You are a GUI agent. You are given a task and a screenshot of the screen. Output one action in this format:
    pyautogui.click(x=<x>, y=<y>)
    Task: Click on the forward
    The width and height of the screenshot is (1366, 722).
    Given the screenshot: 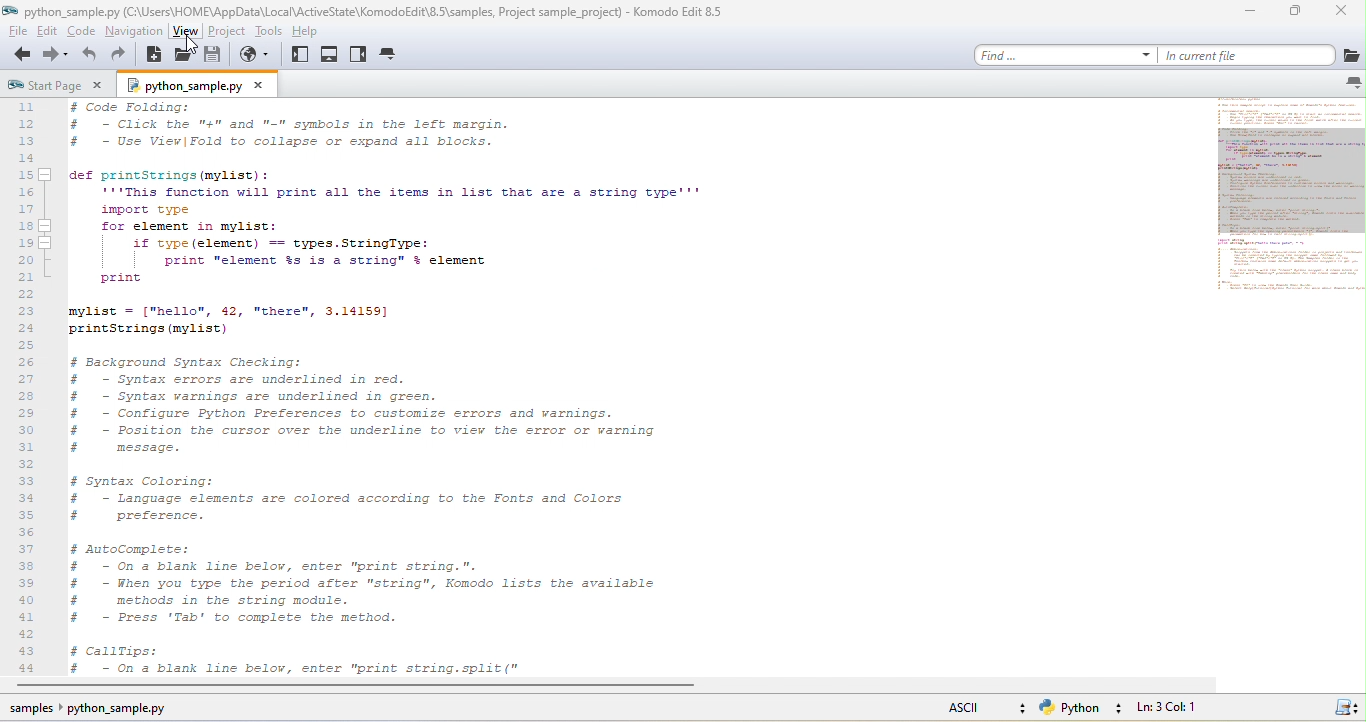 What is the action you would take?
    pyautogui.click(x=56, y=55)
    